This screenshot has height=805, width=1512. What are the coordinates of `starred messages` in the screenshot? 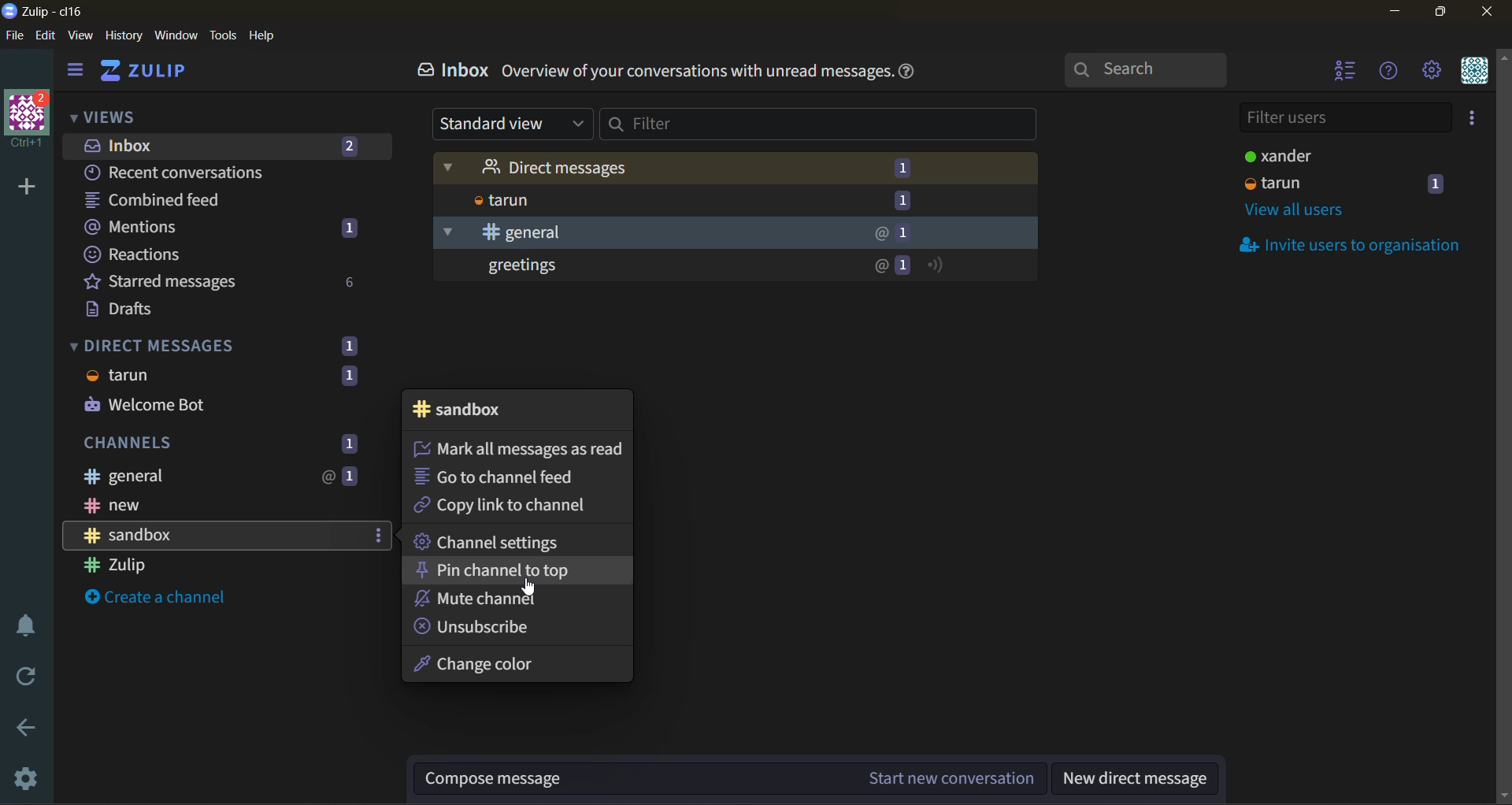 It's located at (221, 280).